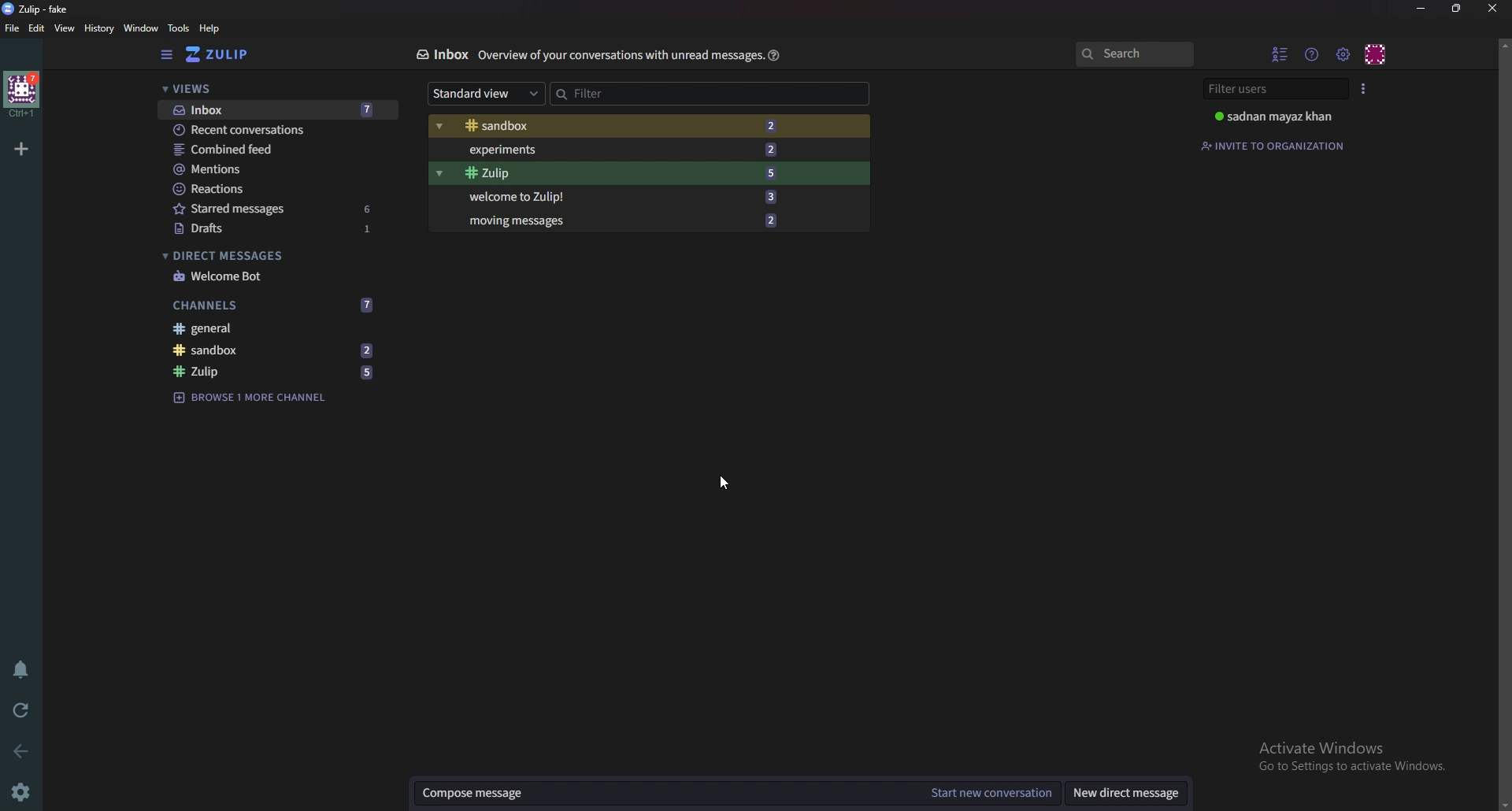 The width and height of the screenshot is (1512, 811). I want to click on cursor, so click(725, 483).